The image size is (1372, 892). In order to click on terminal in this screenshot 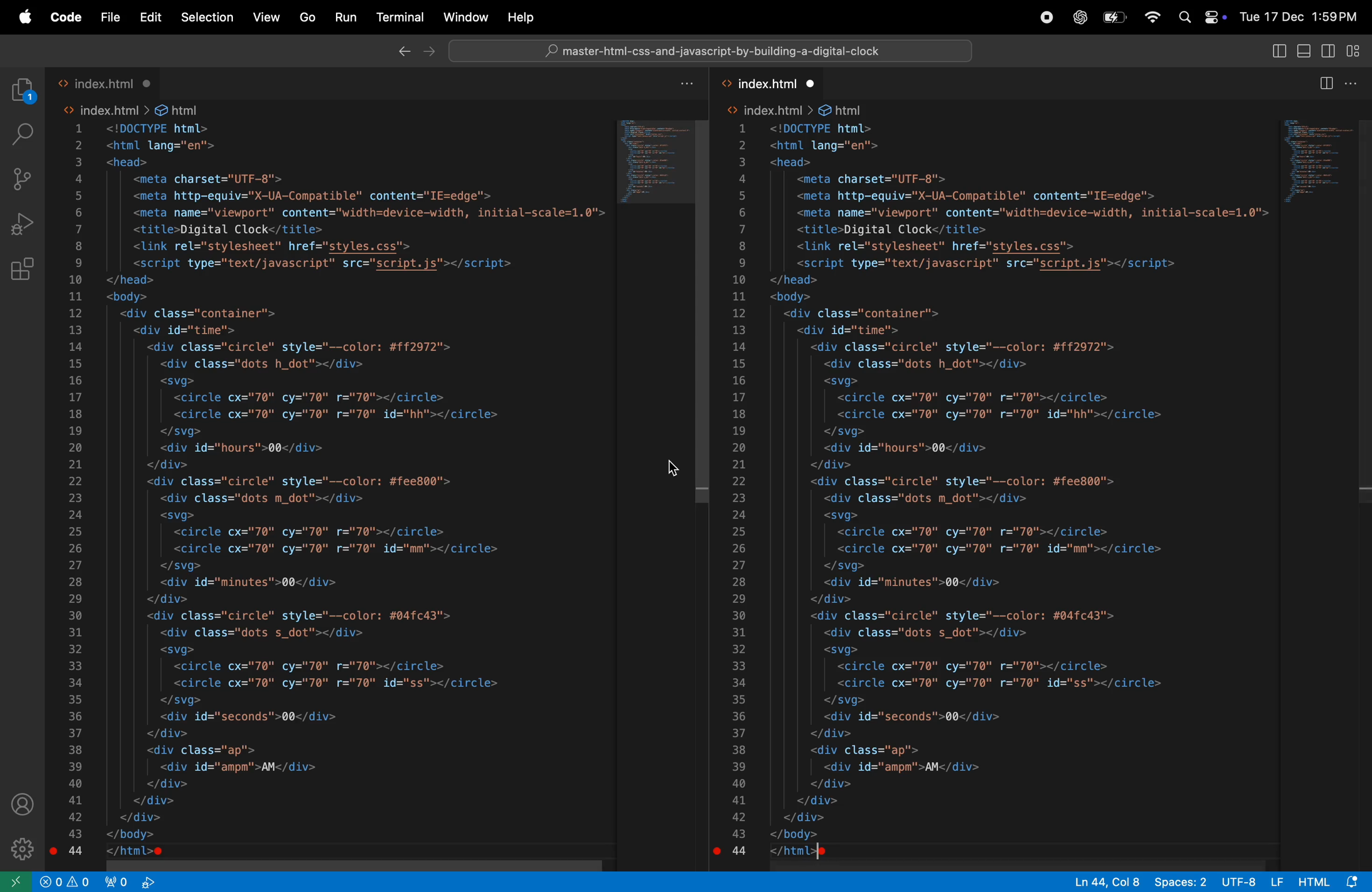, I will do `click(398, 14)`.